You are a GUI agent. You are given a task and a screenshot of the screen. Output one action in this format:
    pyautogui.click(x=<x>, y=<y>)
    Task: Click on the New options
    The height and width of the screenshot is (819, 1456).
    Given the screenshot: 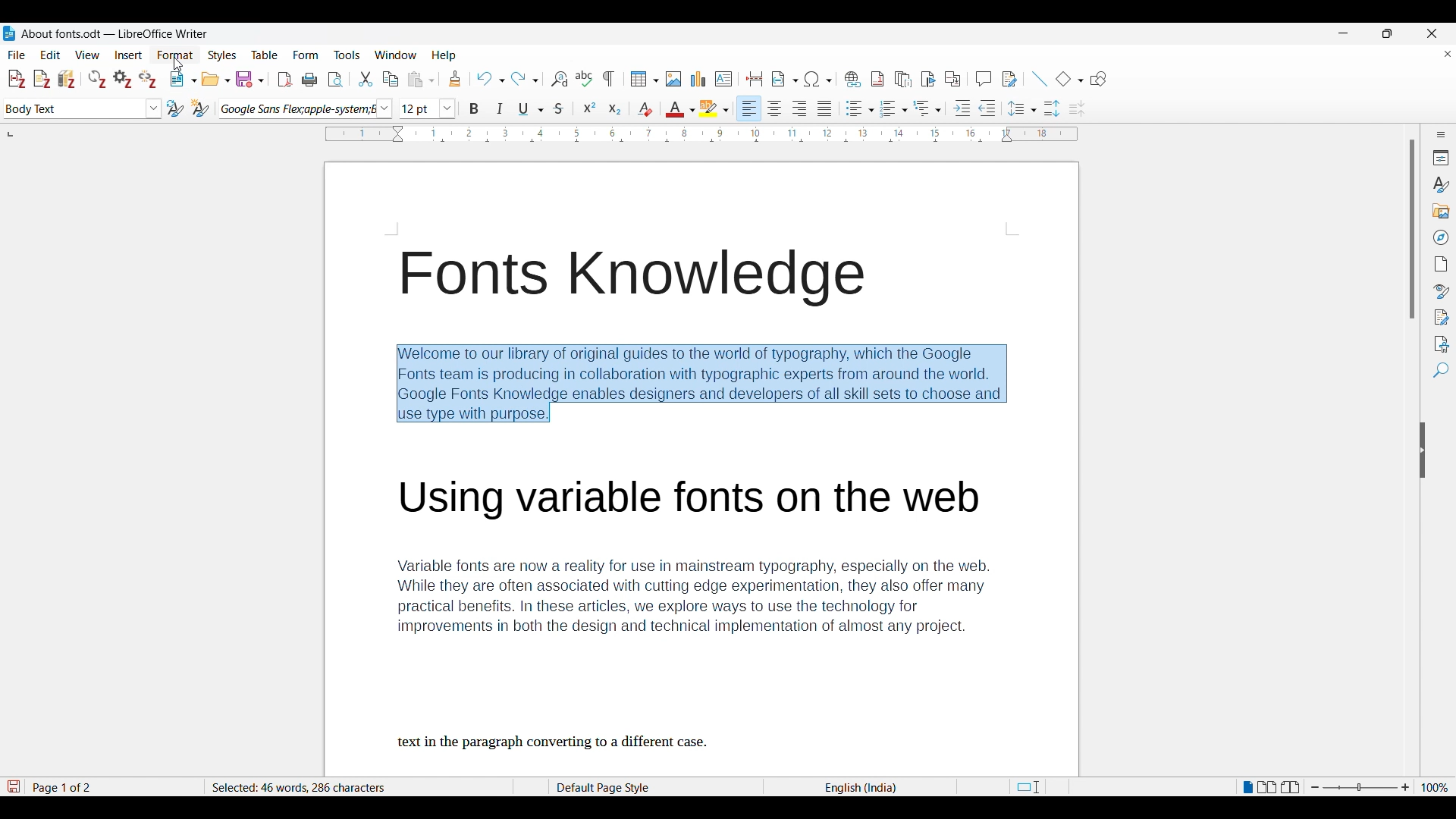 What is the action you would take?
    pyautogui.click(x=184, y=79)
    